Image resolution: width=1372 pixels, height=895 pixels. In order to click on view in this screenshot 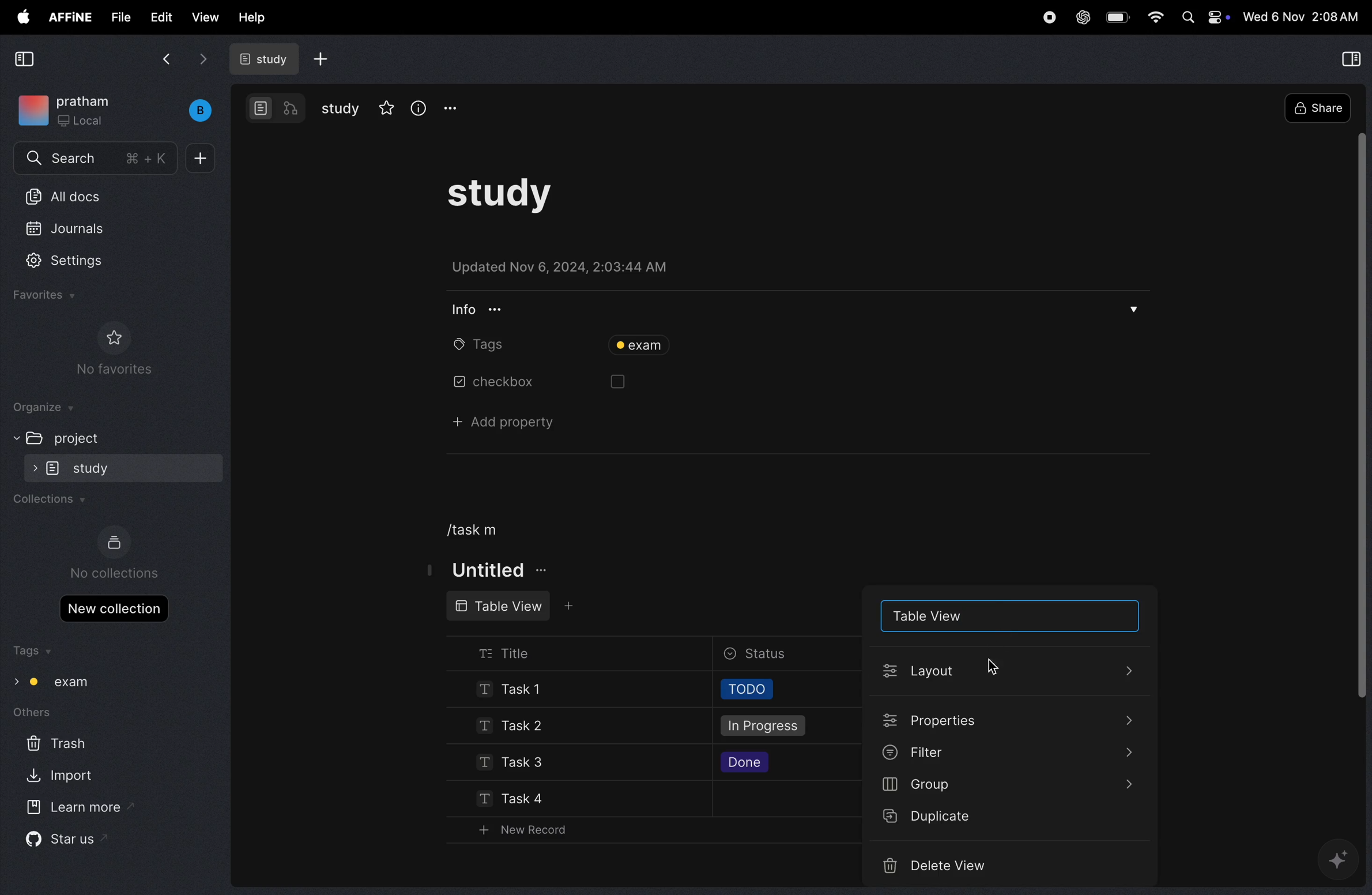, I will do `click(205, 18)`.